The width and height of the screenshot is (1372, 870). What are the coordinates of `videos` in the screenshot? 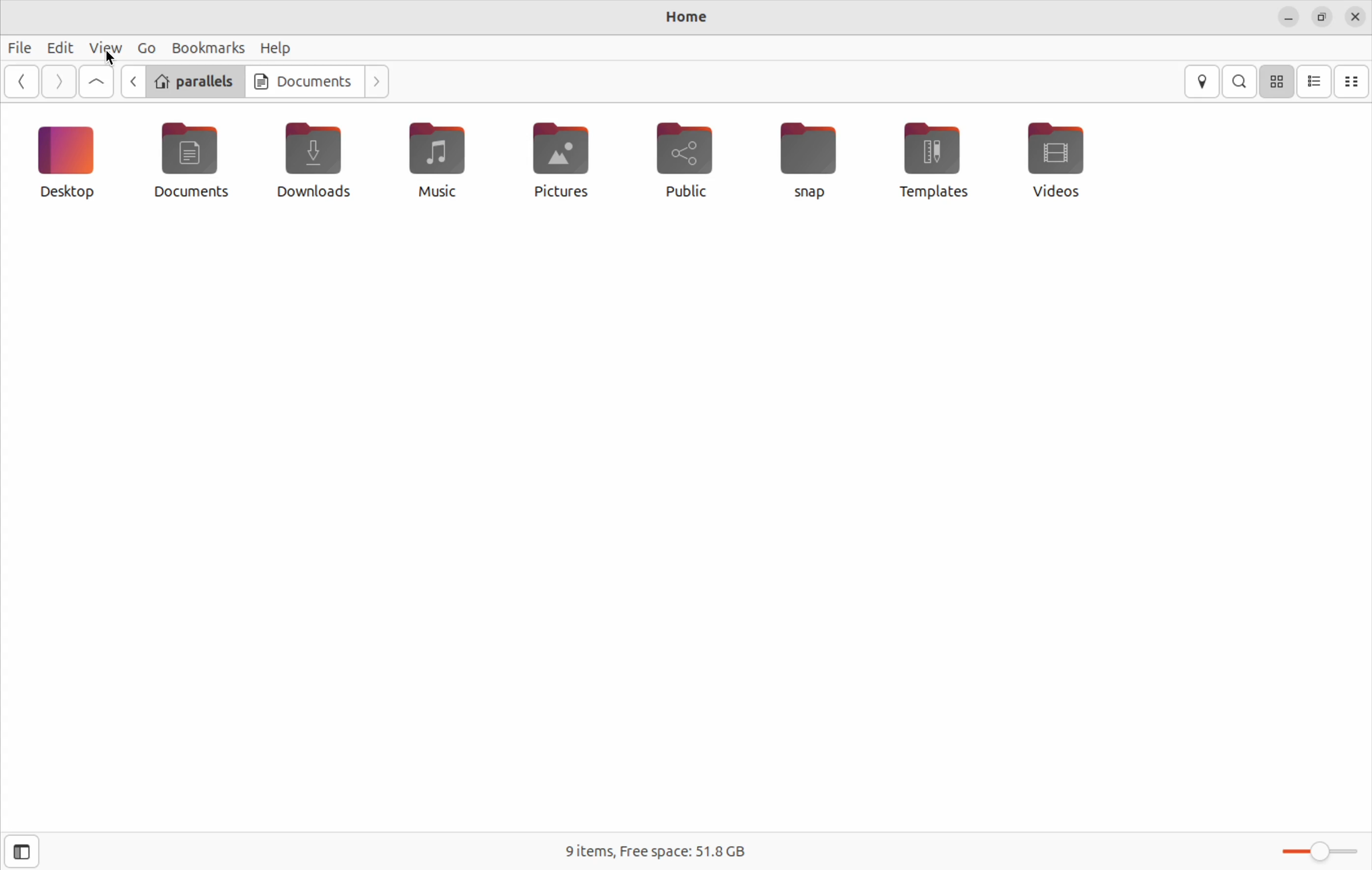 It's located at (1059, 163).